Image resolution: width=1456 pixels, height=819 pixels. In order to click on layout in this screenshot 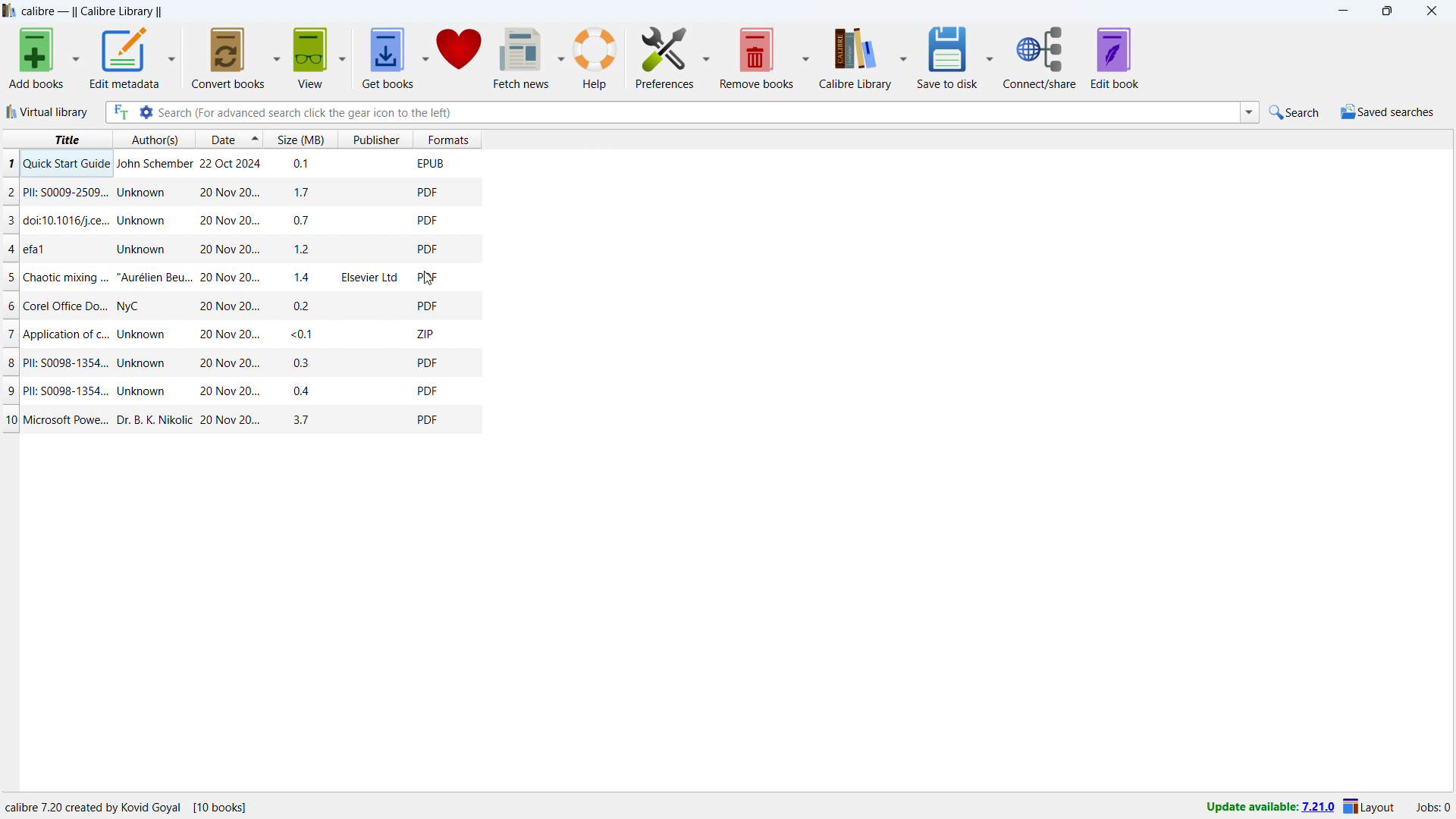, I will do `click(1372, 807)`.